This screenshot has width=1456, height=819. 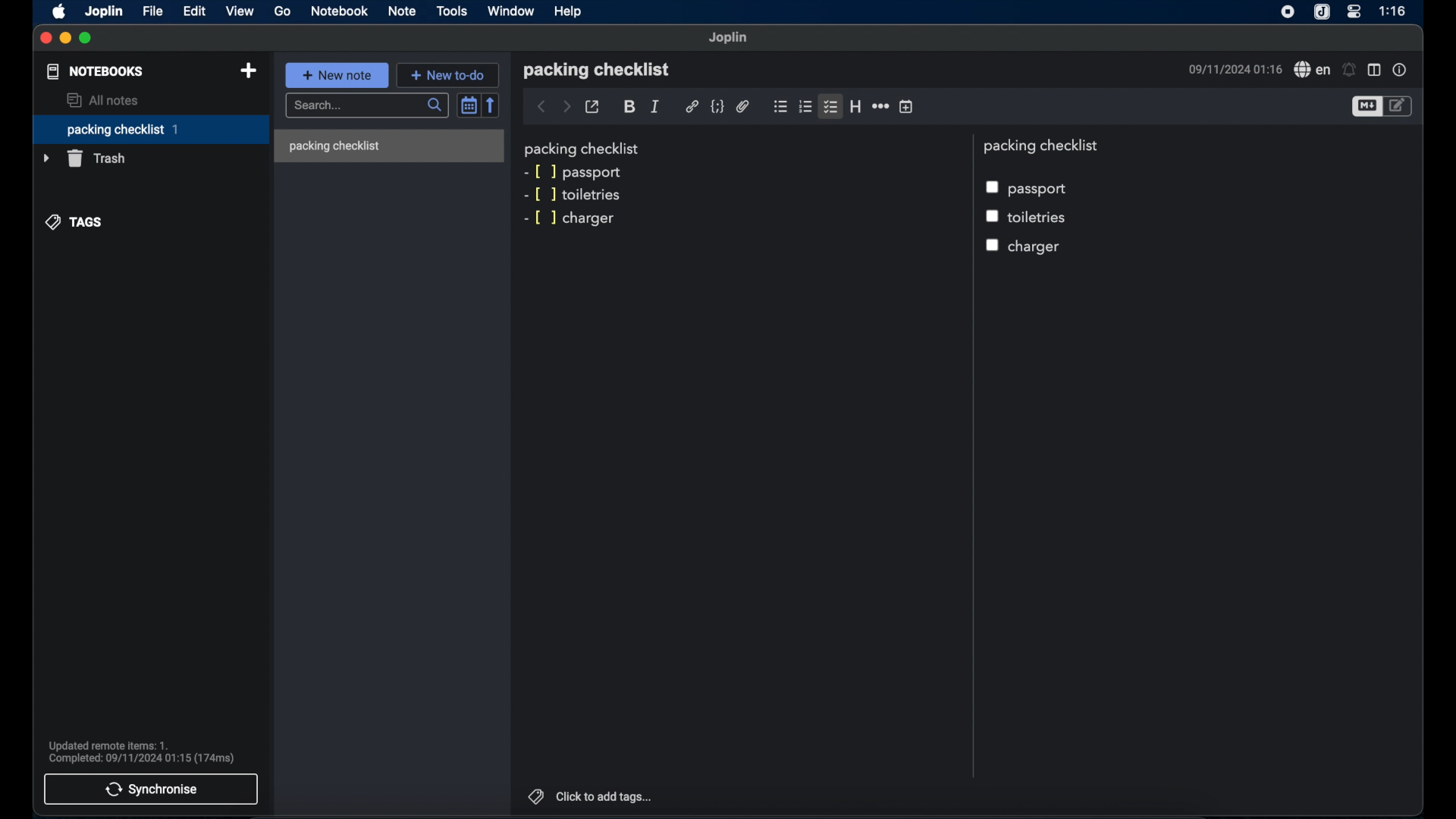 What do you see at coordinates (593, 107) in the screenshot?
I see `toggle external editing` at bounding box center [593, 107].